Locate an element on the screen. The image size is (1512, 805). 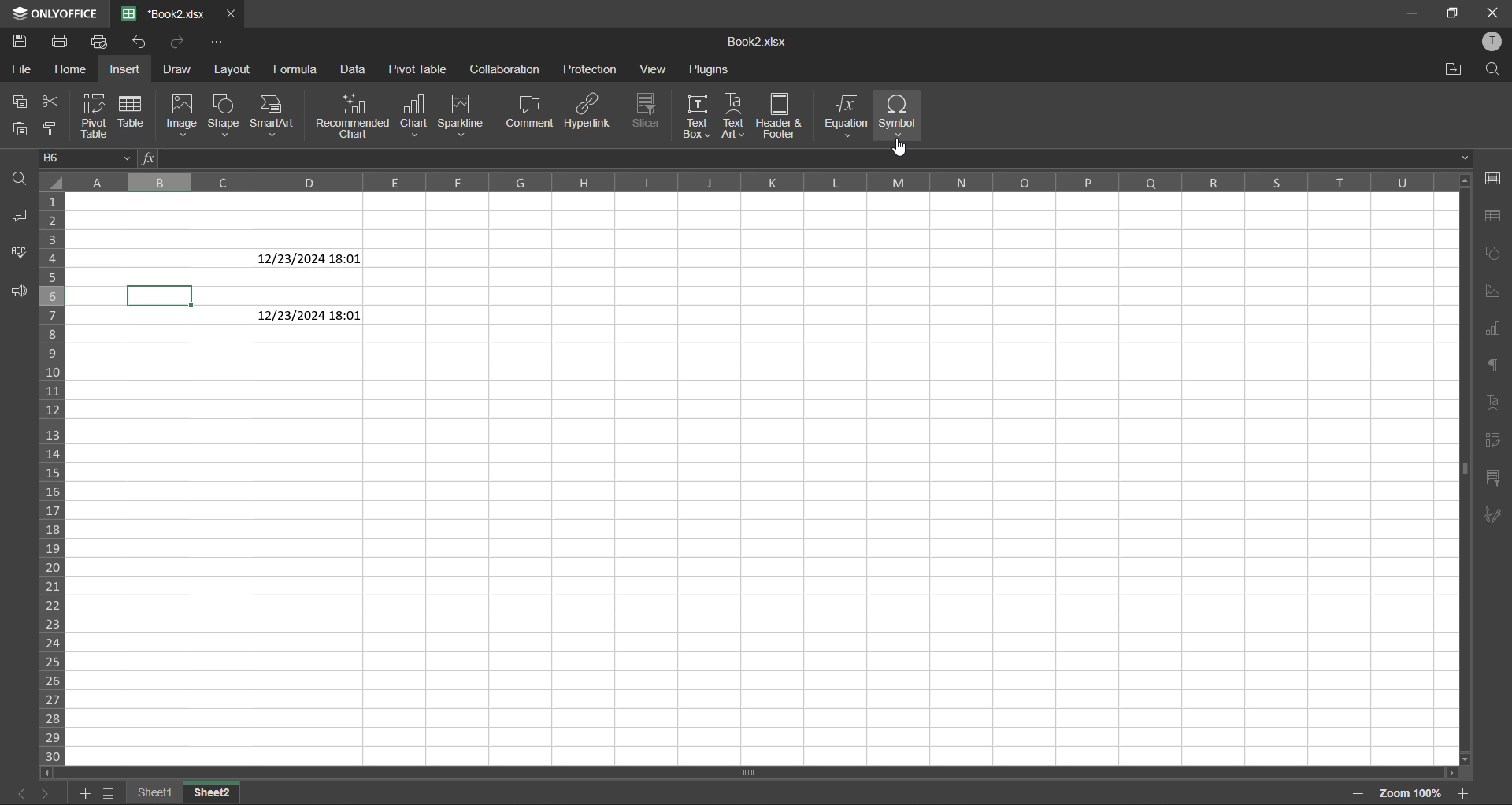
sparkline is located at coordinates (465, 117).